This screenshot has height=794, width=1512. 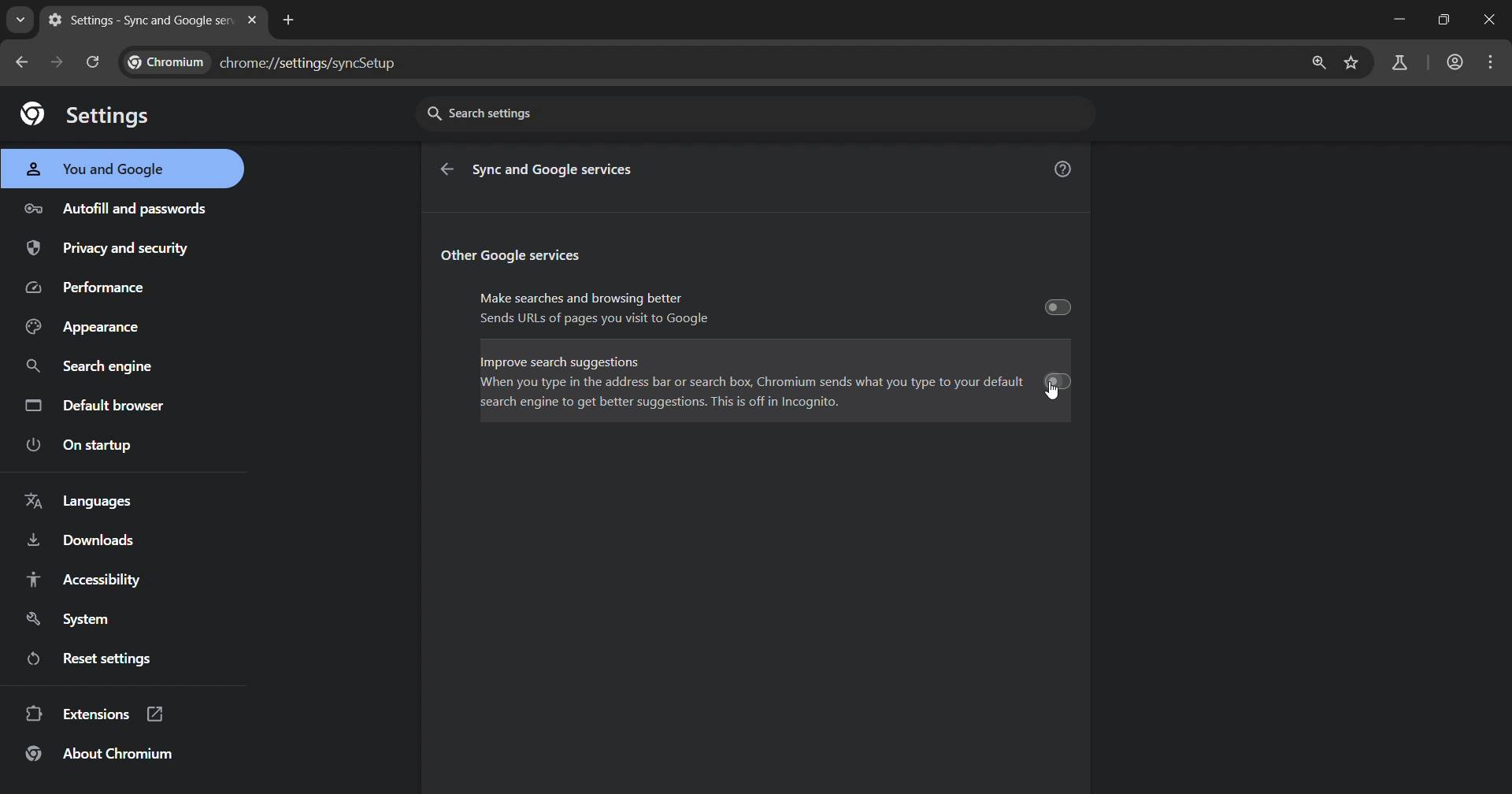 I want to click on Sync and Google services, so click(x=557, y=171).